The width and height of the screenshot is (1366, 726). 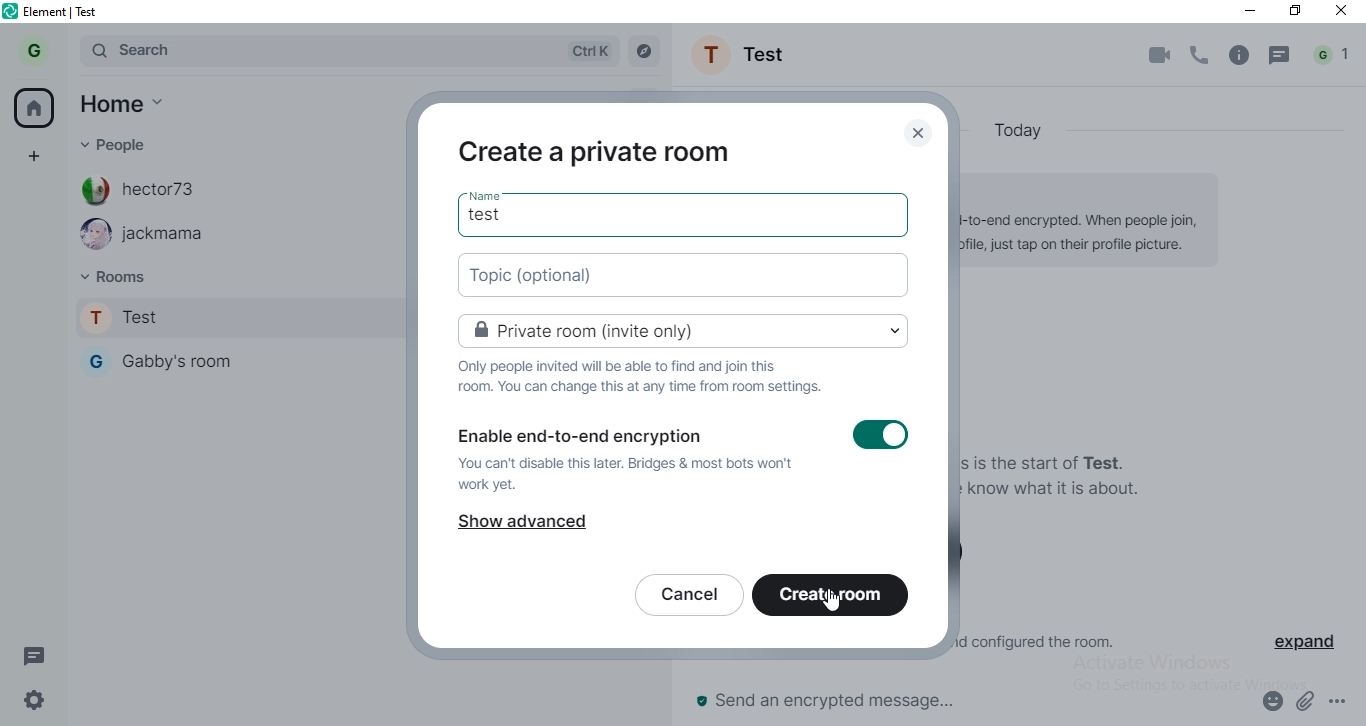 I want to click on send an encrypted message, so click(x=863, y=701).